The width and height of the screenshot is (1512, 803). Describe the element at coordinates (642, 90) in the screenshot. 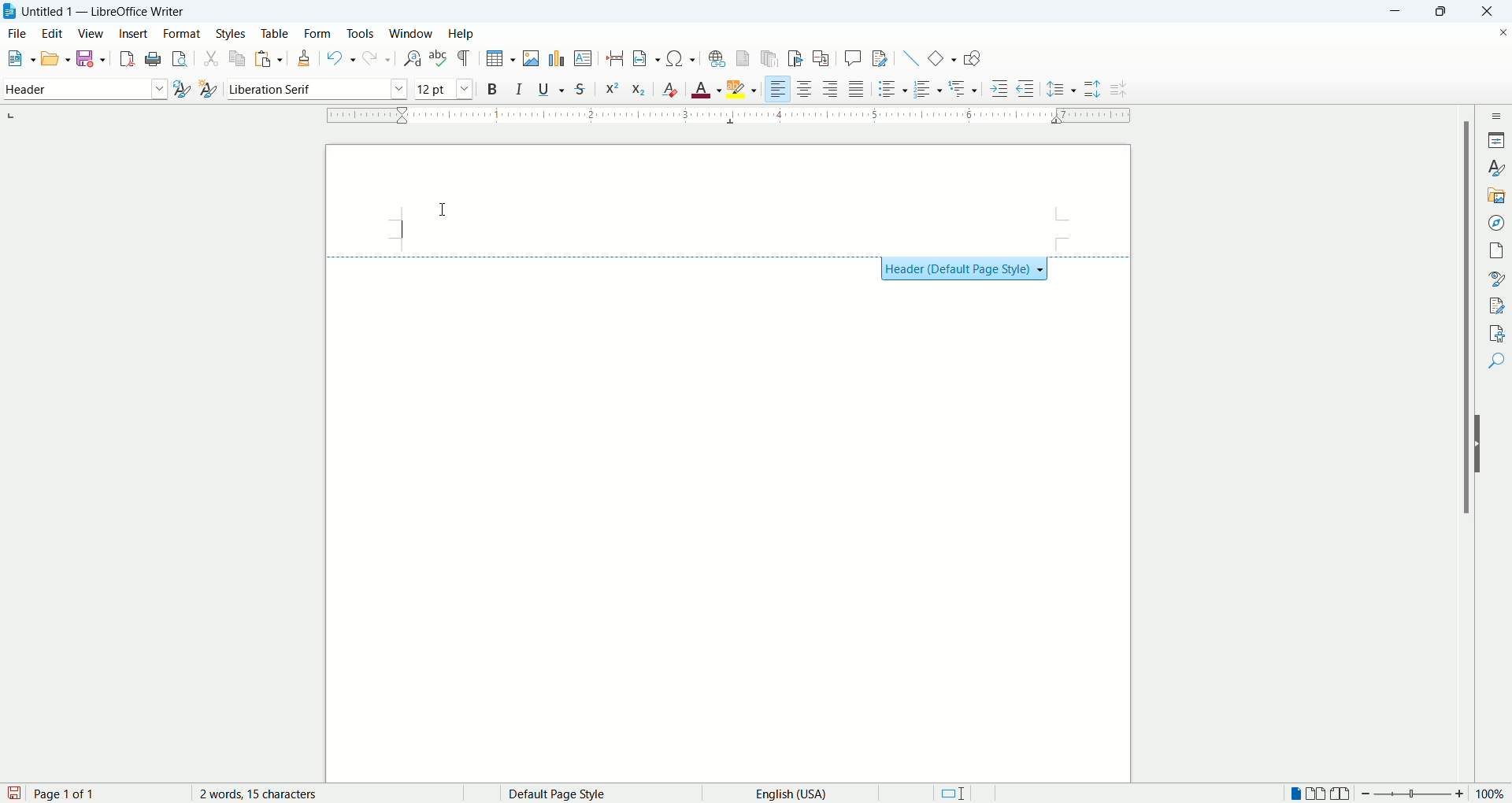

I see `subscript` at that location.